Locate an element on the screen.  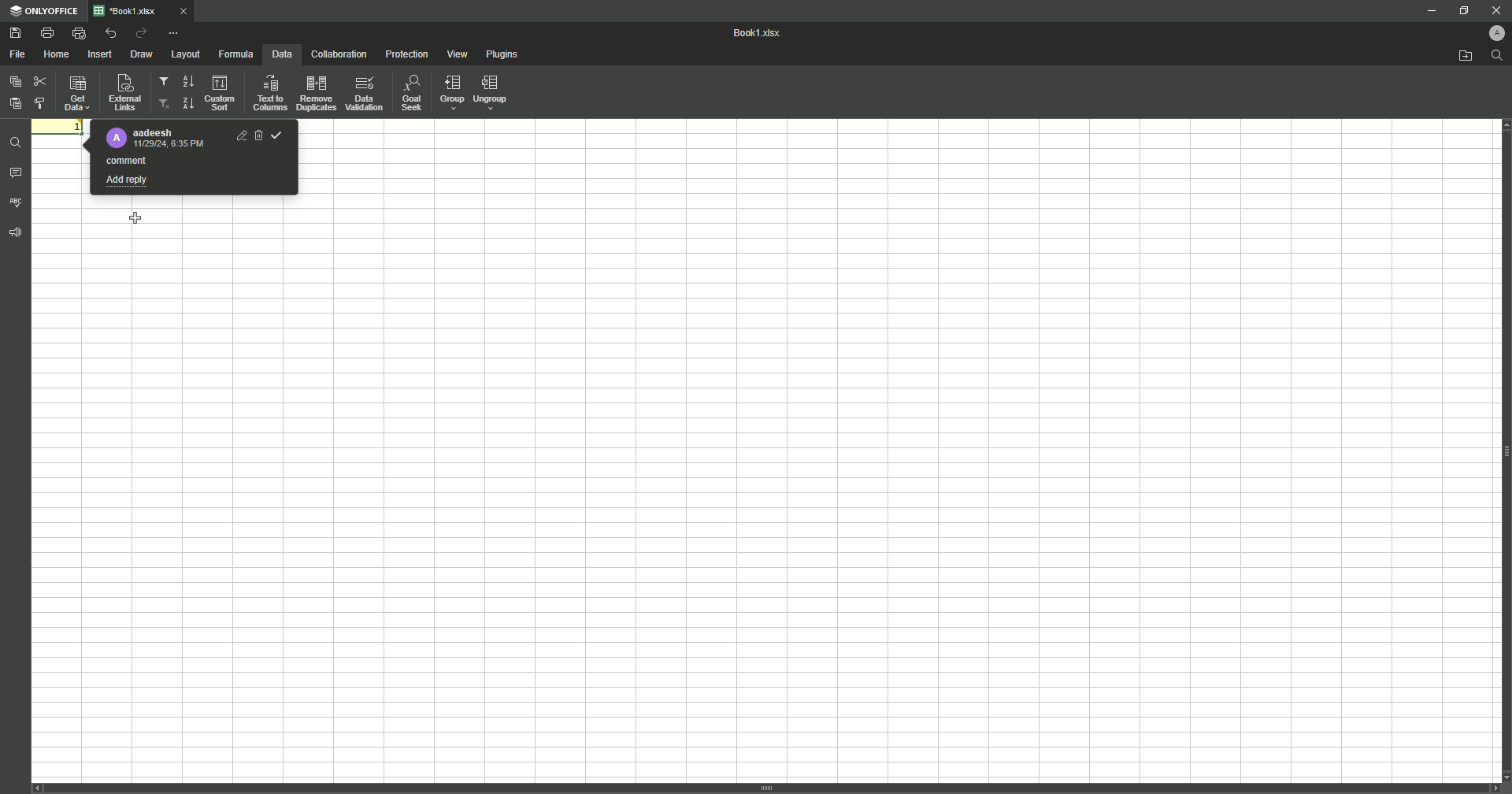
File is located at coordinates (18, 54).